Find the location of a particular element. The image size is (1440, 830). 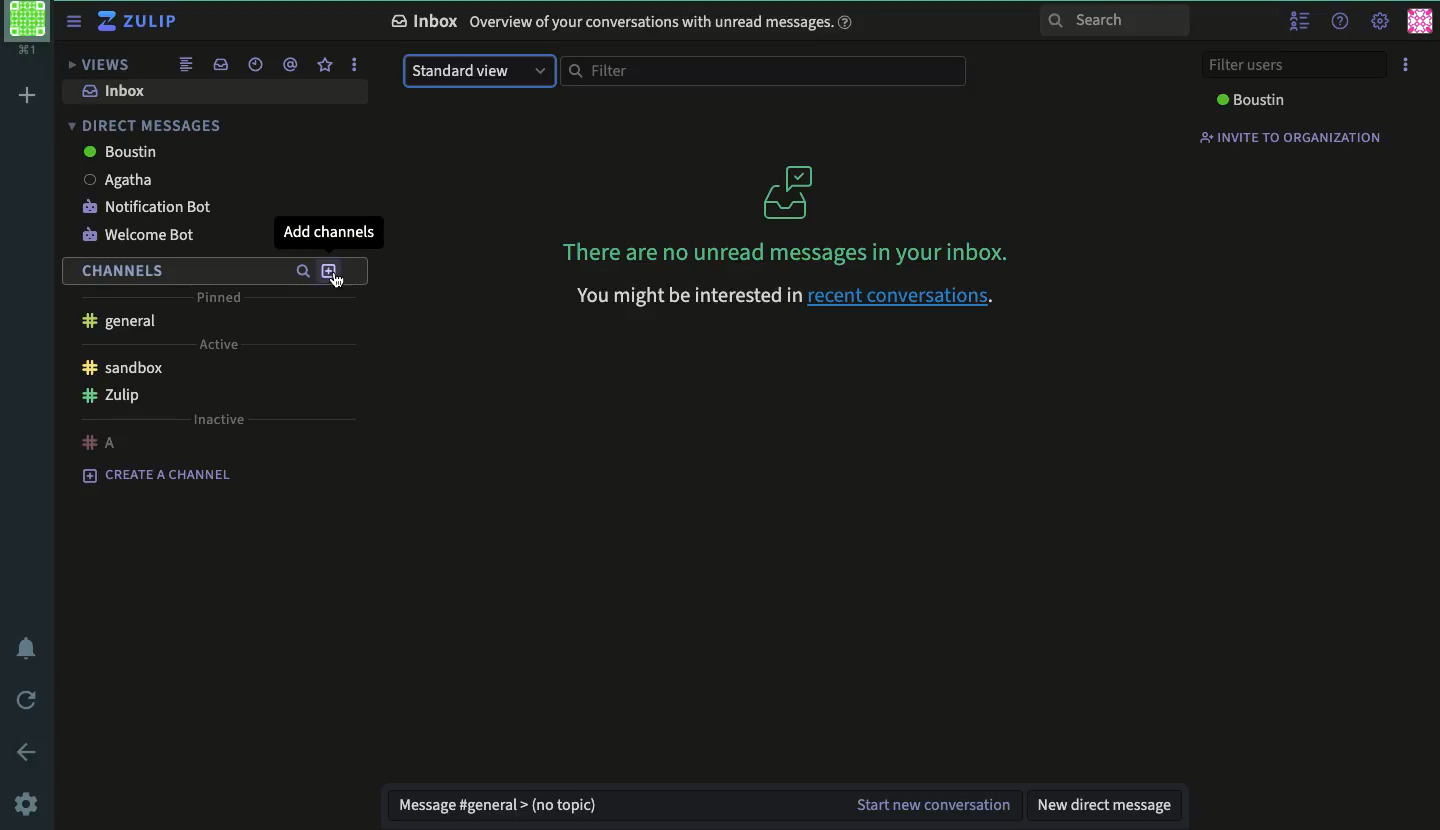

sidebar is located at coordinates (75, 23).